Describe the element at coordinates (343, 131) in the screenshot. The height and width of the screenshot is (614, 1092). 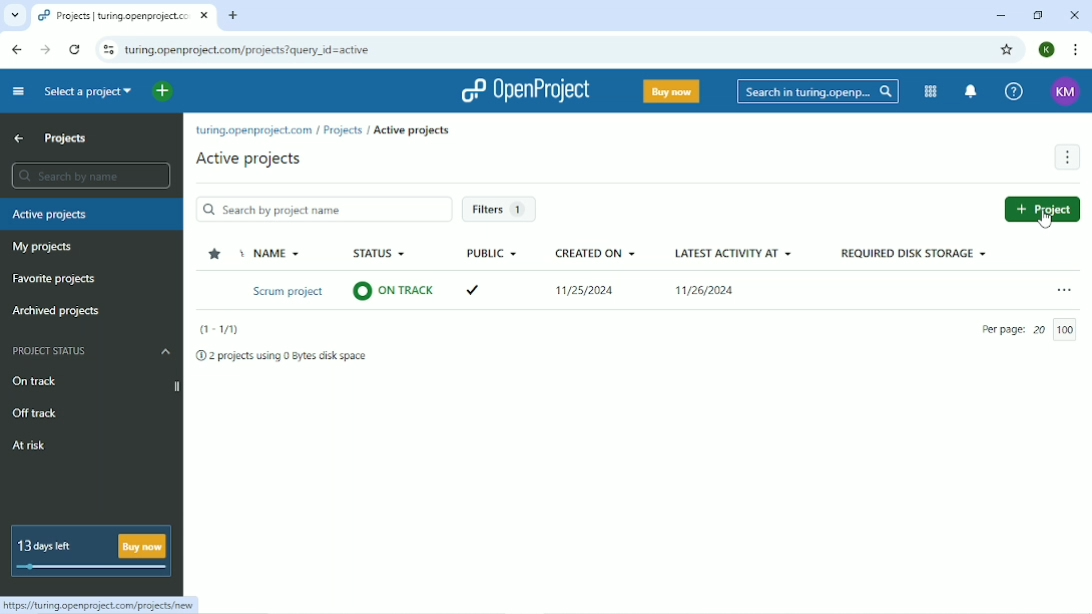
I see `Projects` at that location.